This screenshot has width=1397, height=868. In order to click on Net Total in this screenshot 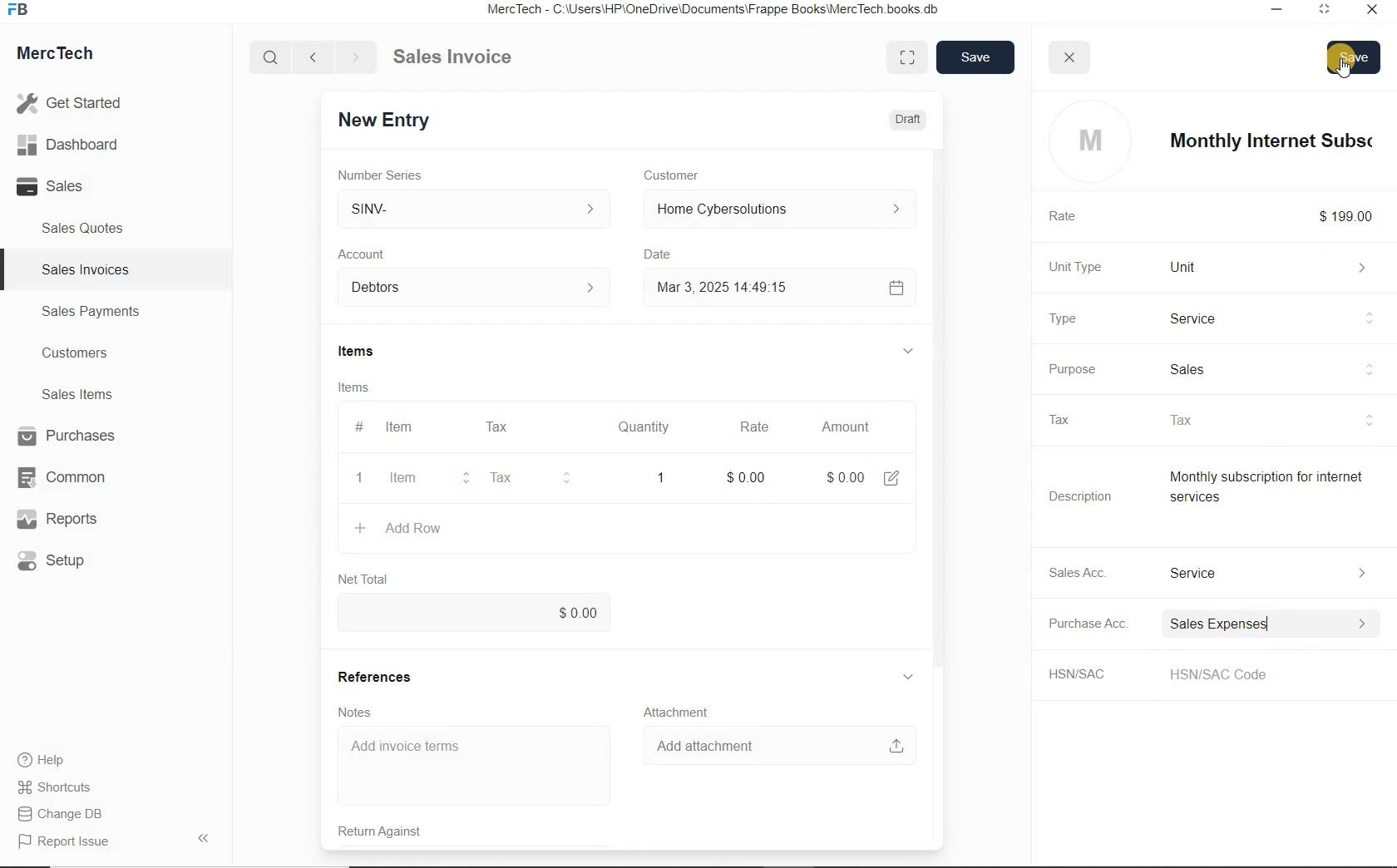, I will do `click(362, 579)`.